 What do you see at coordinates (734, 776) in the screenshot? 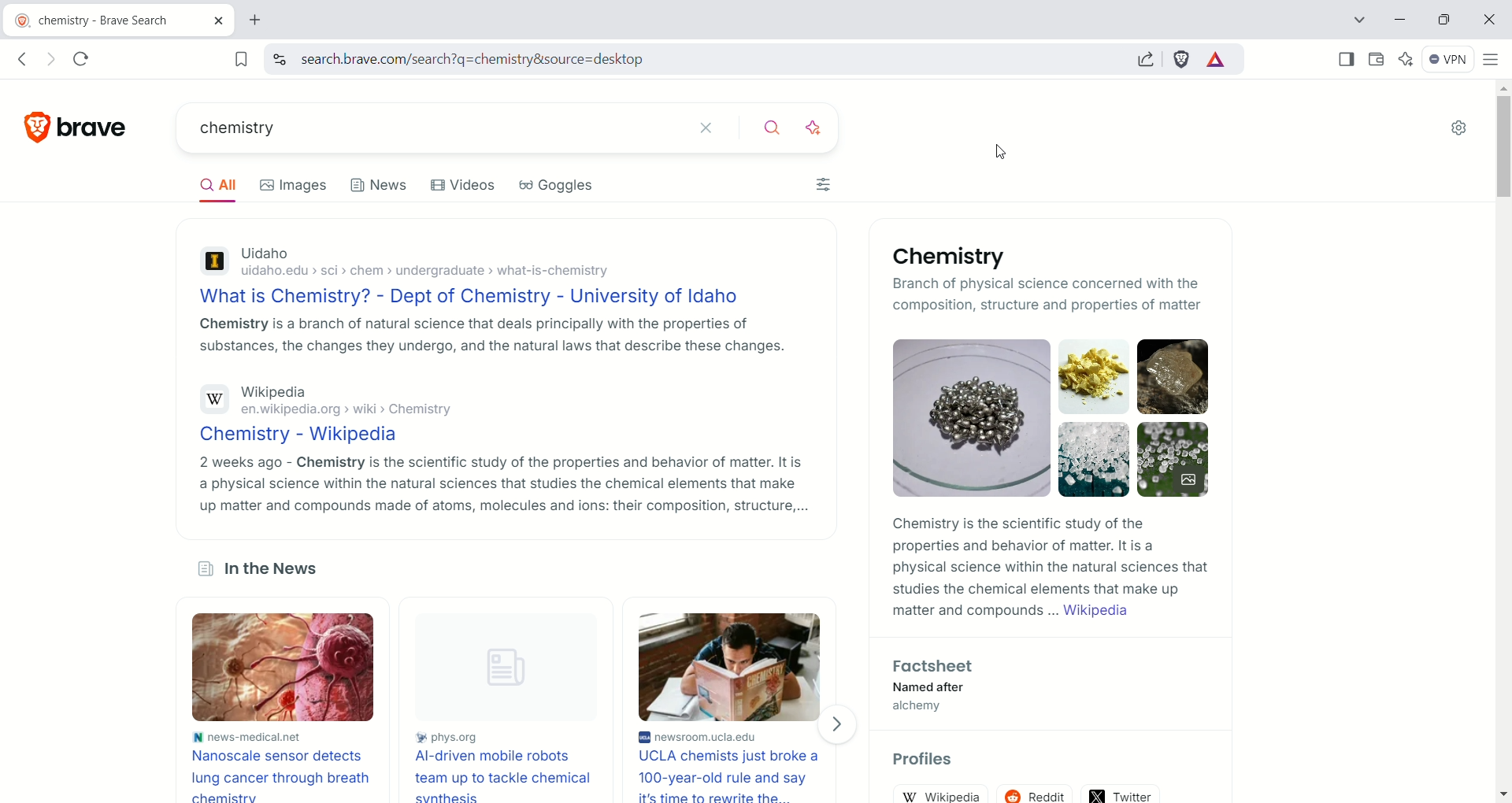
I see `UCLA chemists just broke a 100-year old rule and say it's time to rewrite the` at bounding box center [734, 776].